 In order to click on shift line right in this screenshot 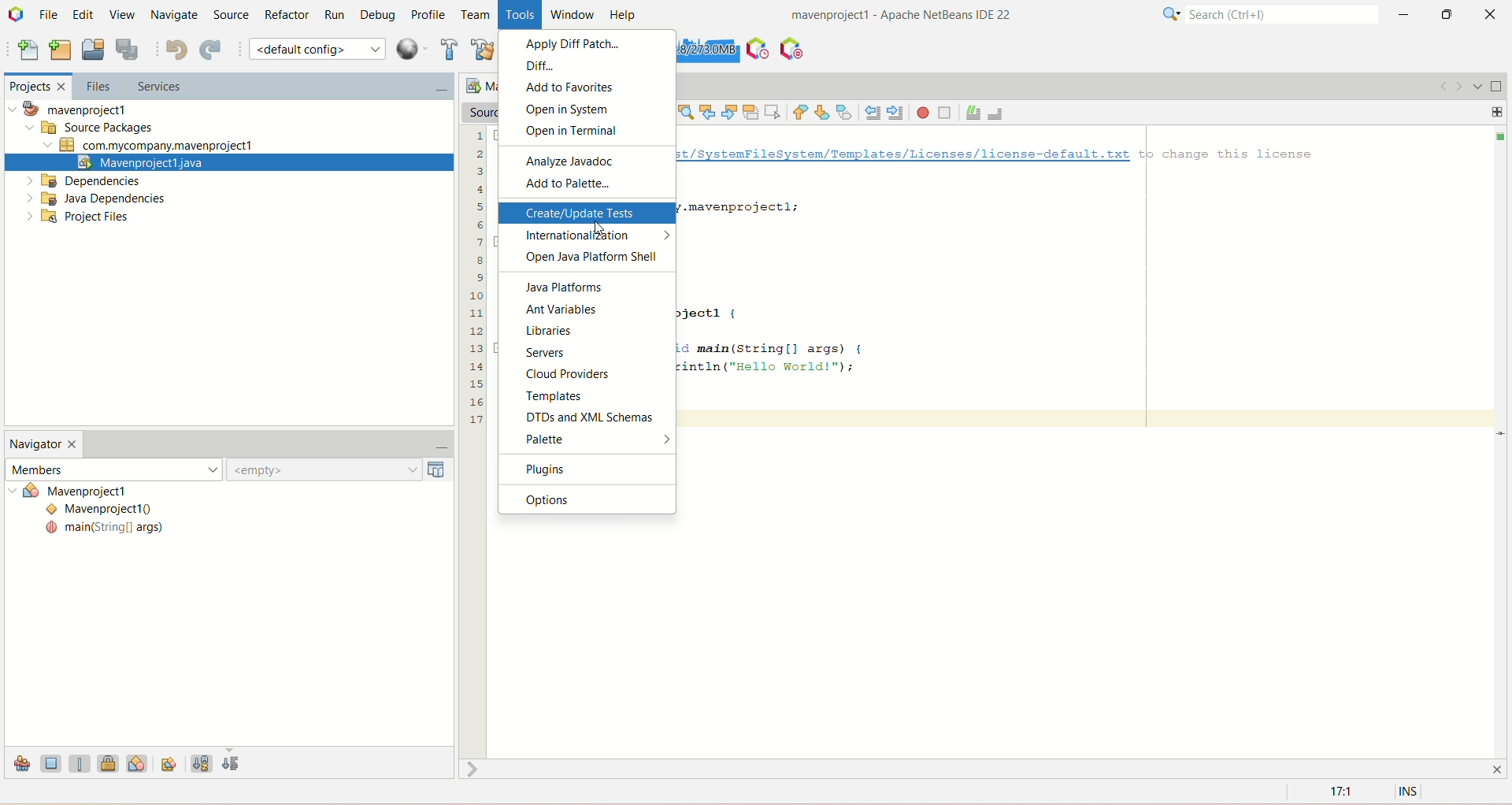, I will do `click(896, 113)`.